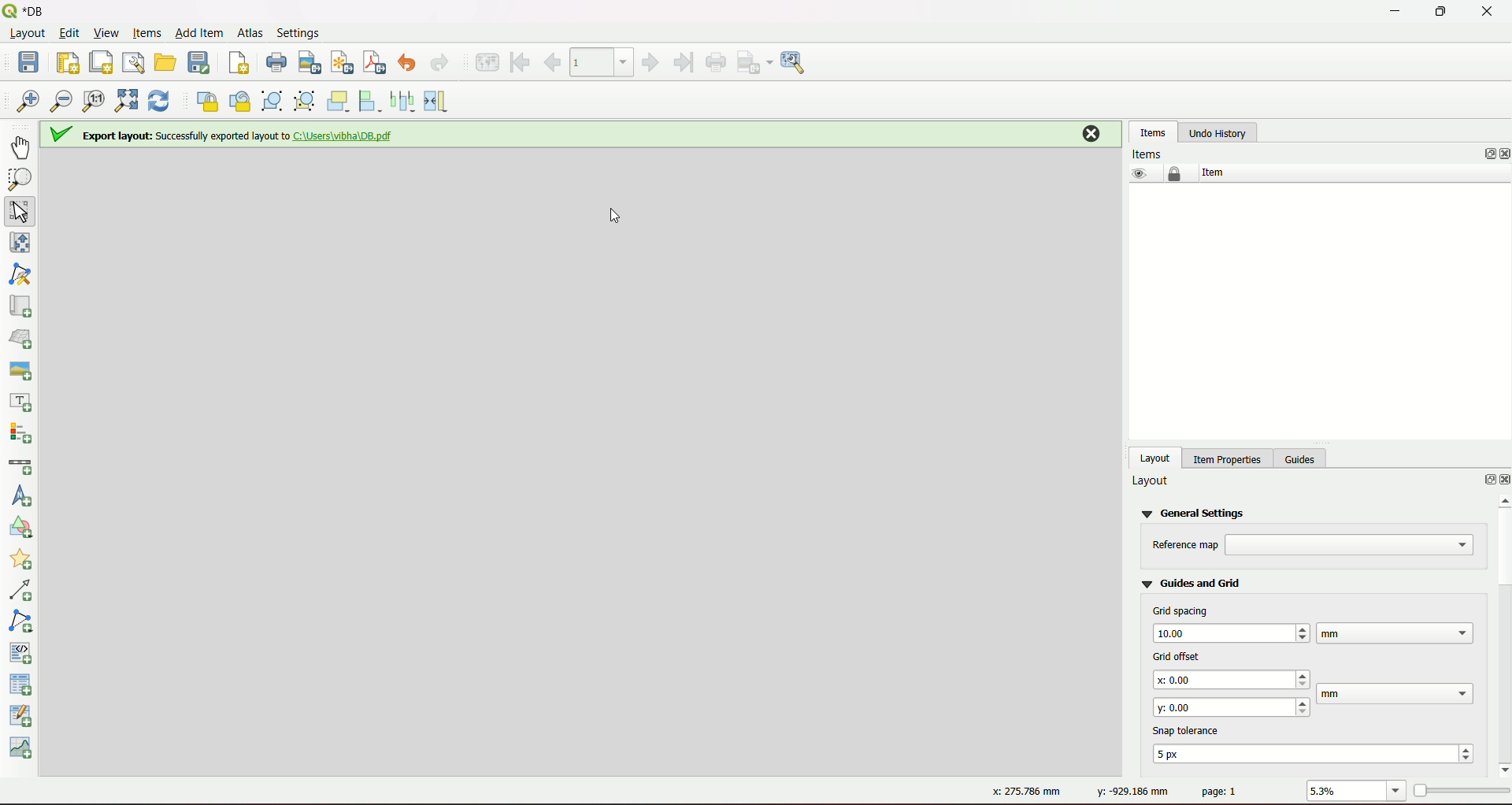 This screenshot has width=1512, height=805. What do you see at coordinates (1230, 632) in the screenshot?
I see `text box` at bounding box center [1230, 632].